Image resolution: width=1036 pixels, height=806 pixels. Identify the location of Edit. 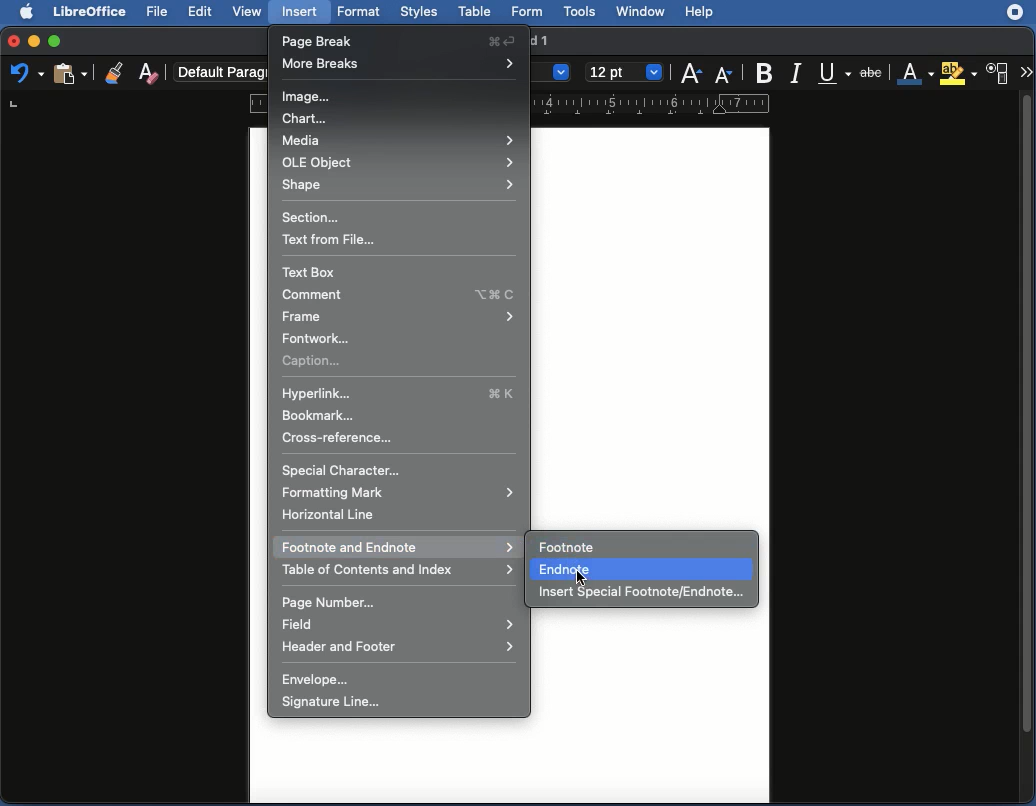
(199, 11).